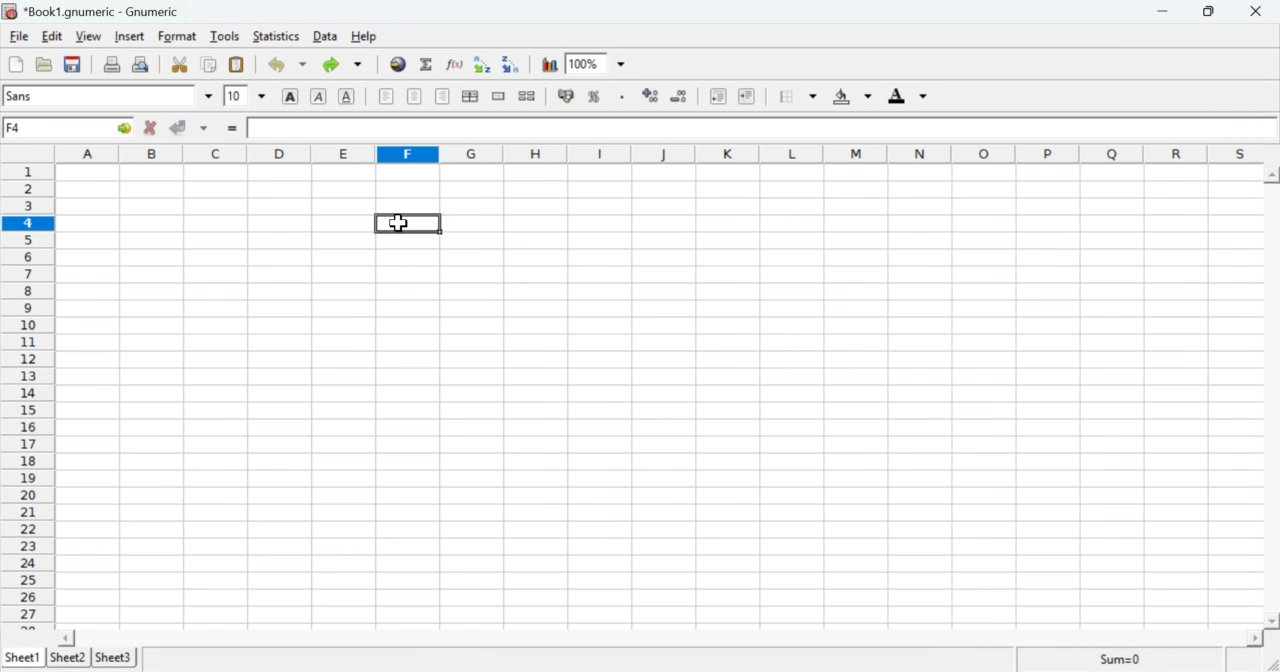  What do you see at coordinates (347, 97) in the screenshot?
I see `Underline` at bounding box center [347, 97].